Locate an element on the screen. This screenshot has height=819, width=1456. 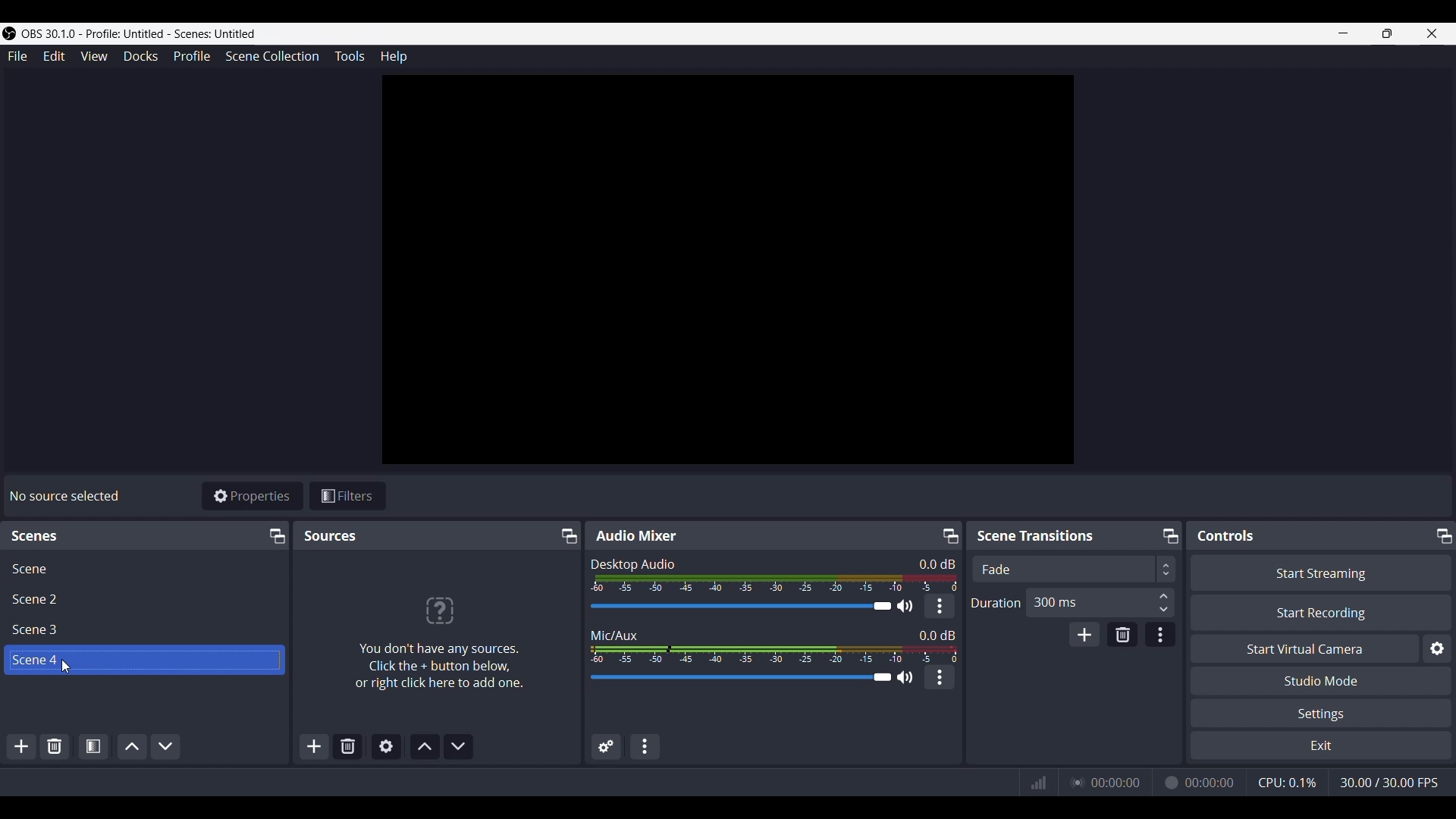
scenes is located at coordinates (36, 538).